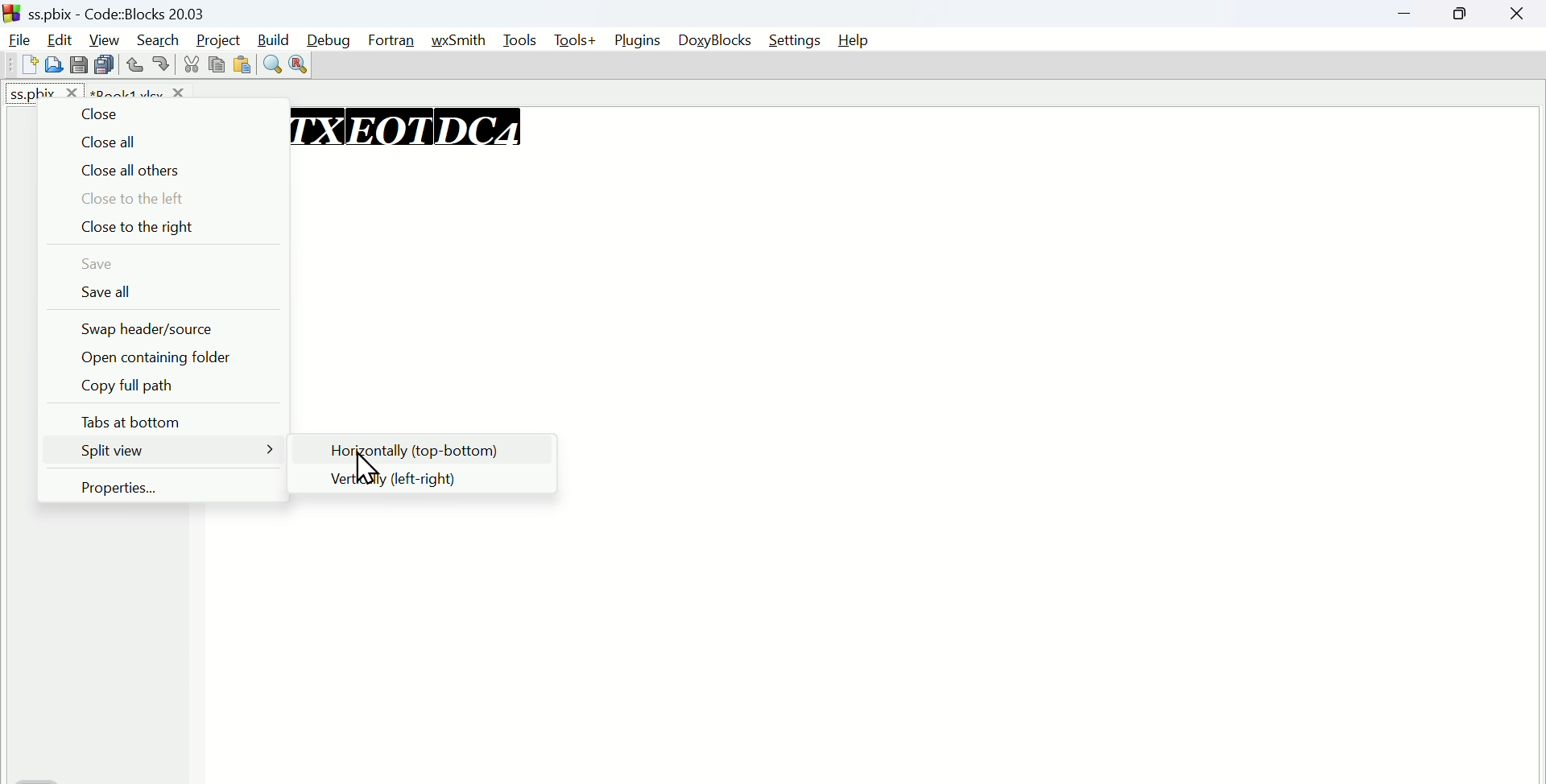 This screenshot has height=784, width=1546. What do you see at coordinates (275, 37) in the screenshot?
I see `Build` at bounding box center [275, 37].